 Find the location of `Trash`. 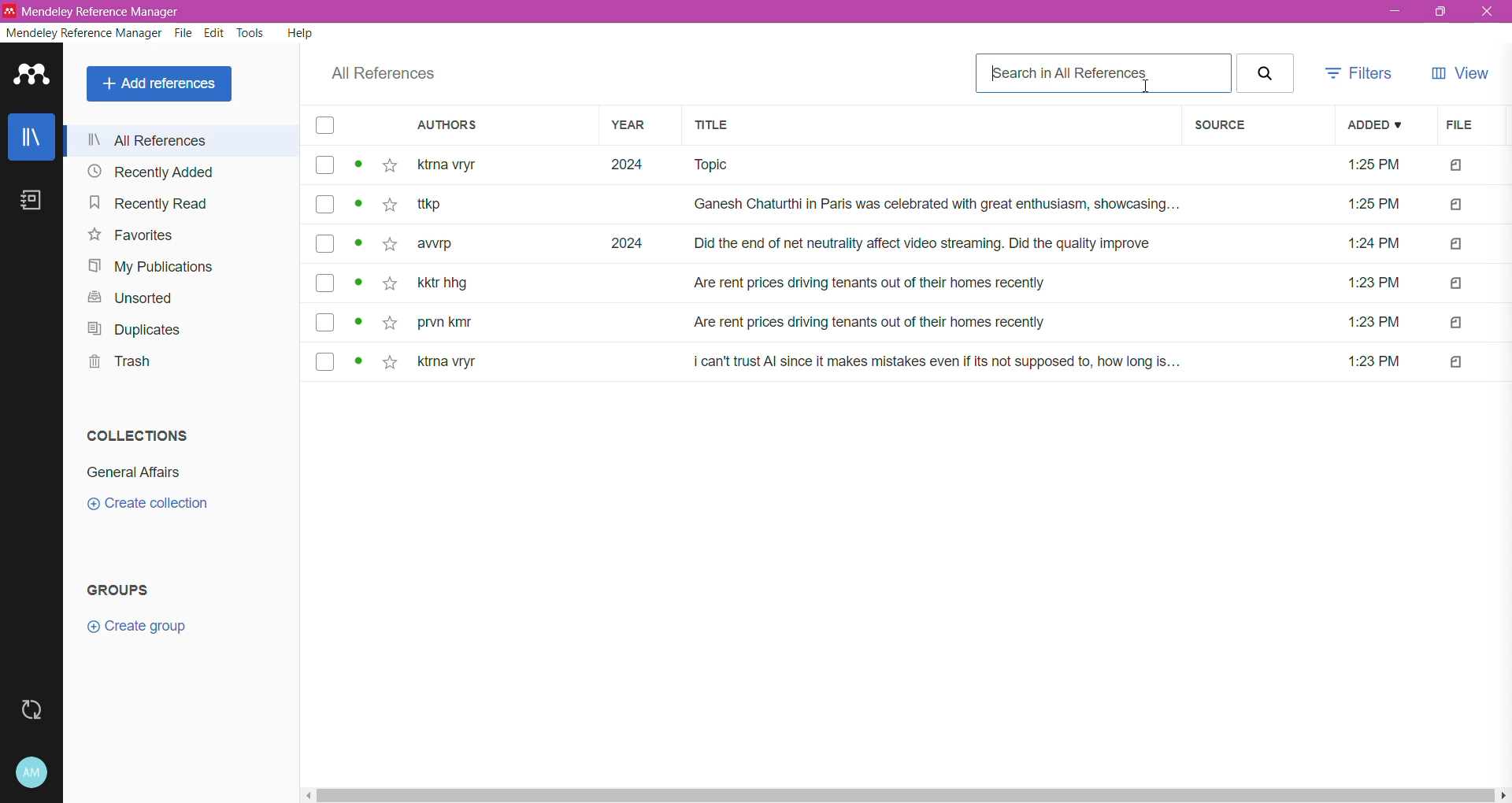

Trash is located at coordinates (118, 364).